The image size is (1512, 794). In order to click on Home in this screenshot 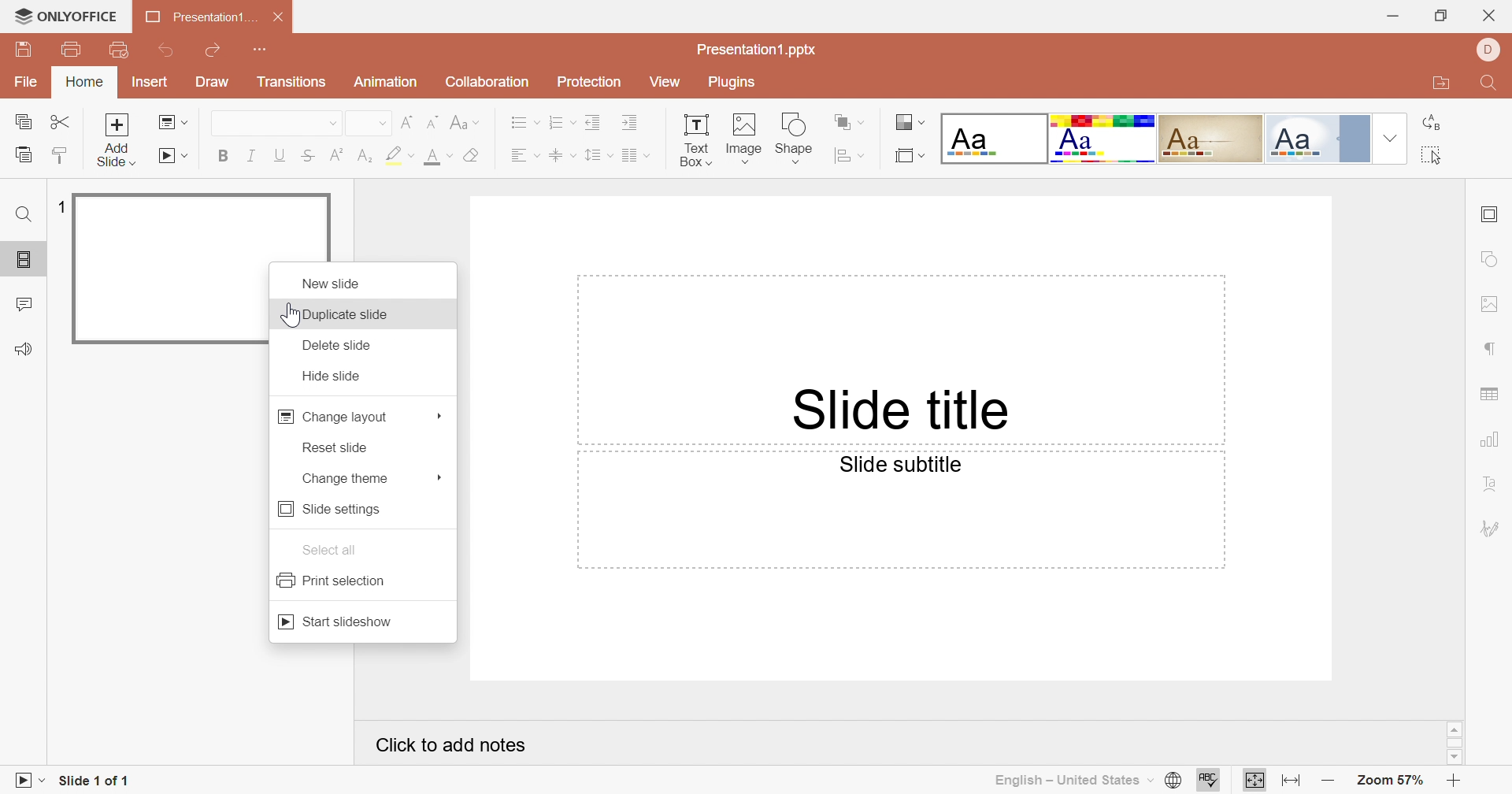, I will do `click(83, 82)`.